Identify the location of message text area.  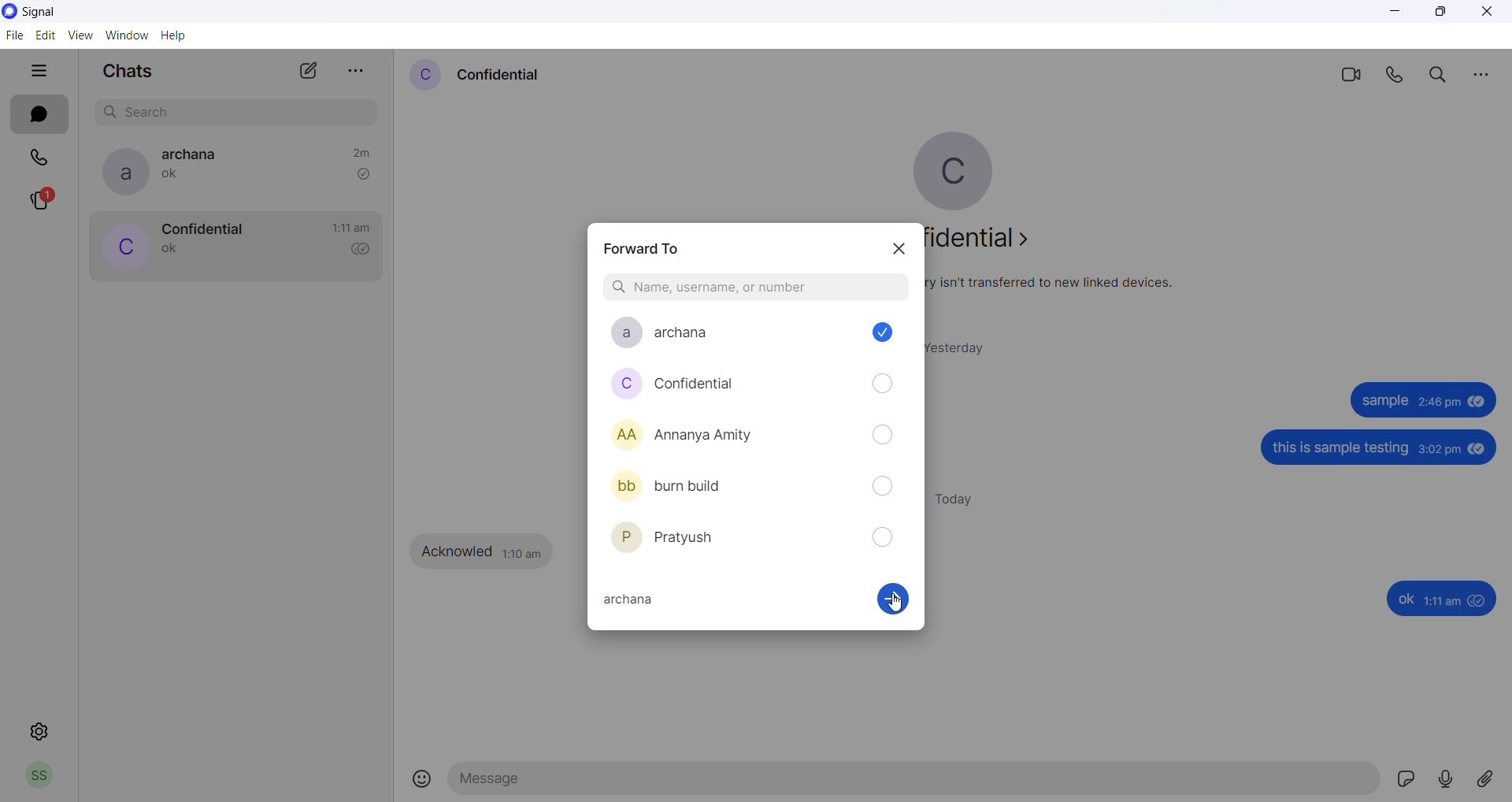
(916, 783).